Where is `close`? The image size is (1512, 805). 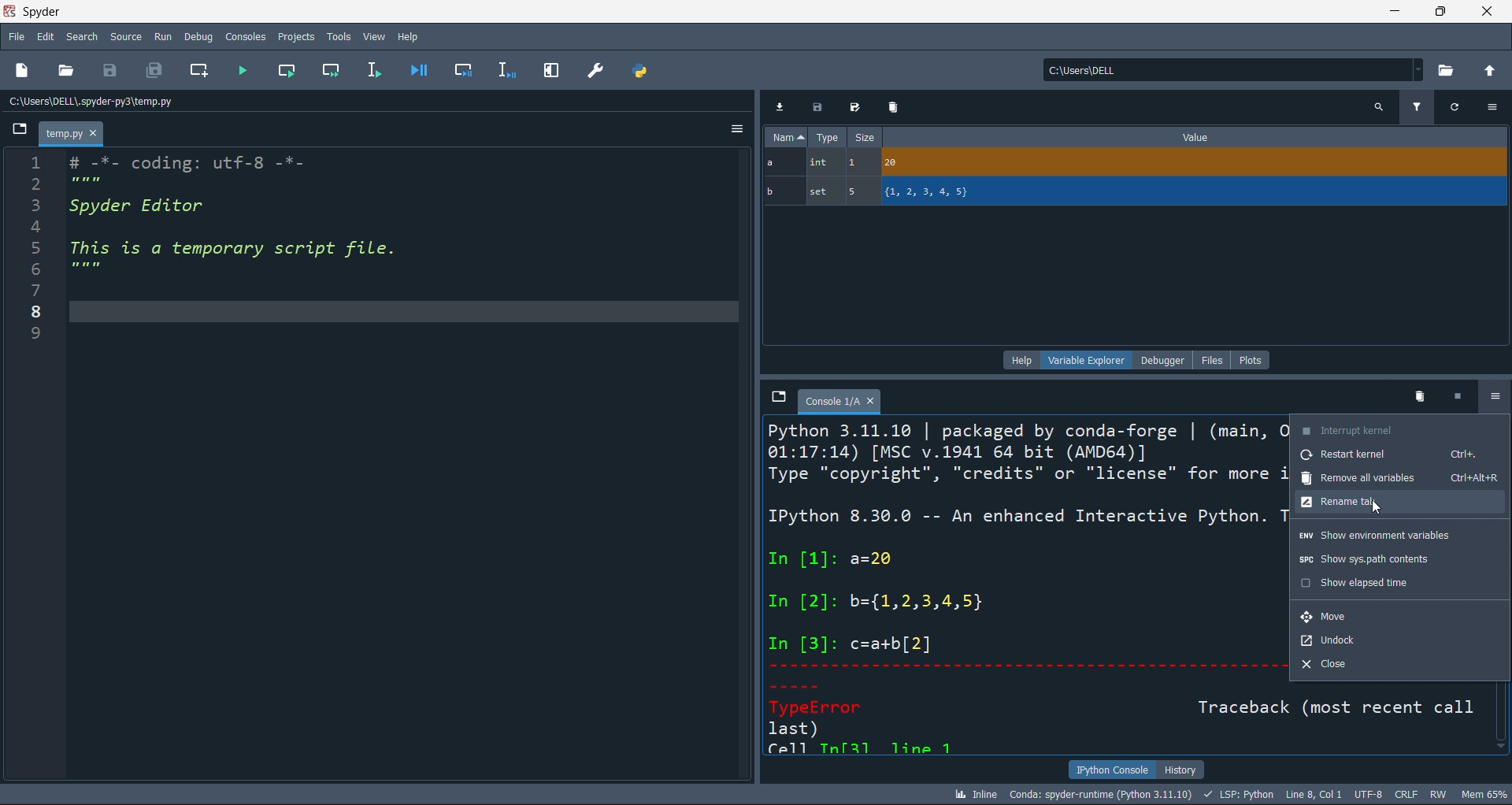 close is located at coordinates (1399, 667).